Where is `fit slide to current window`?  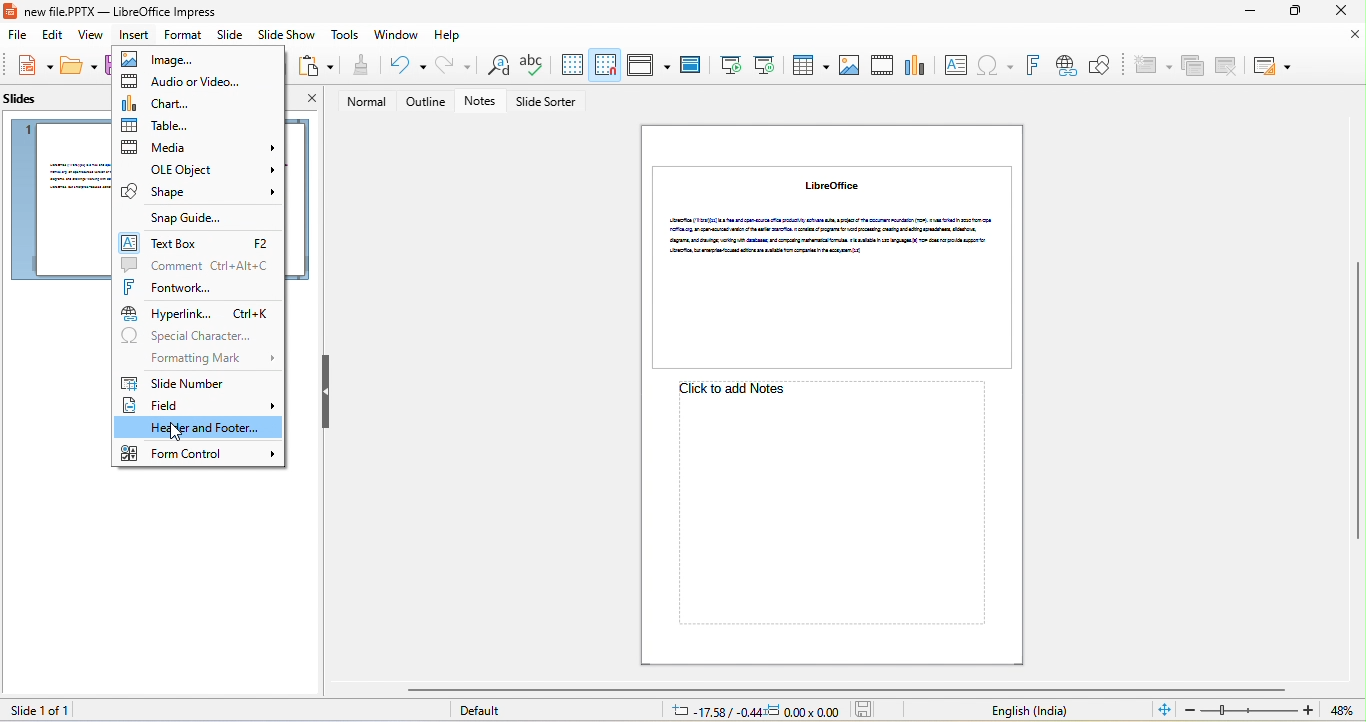
fit slide to current window is located at coordinates (1164, 709).